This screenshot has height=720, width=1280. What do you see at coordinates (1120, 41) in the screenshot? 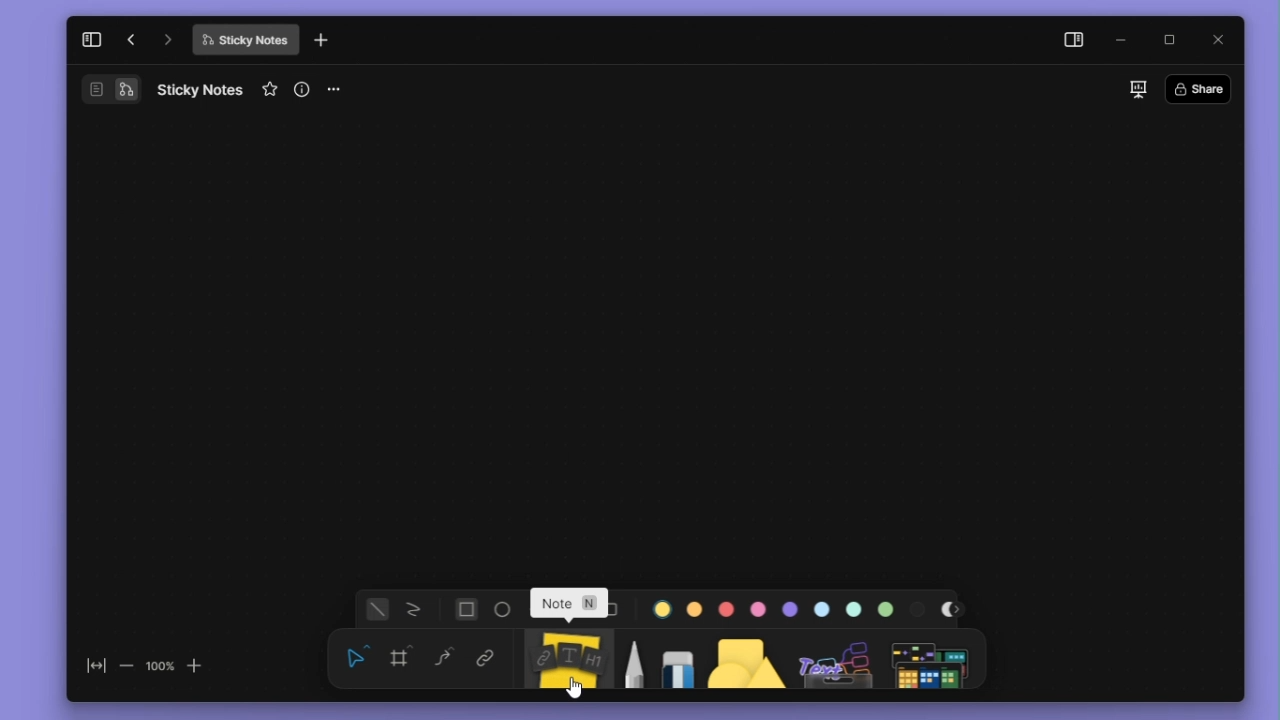
I see `minimize` at bounding box center [1120, 41].